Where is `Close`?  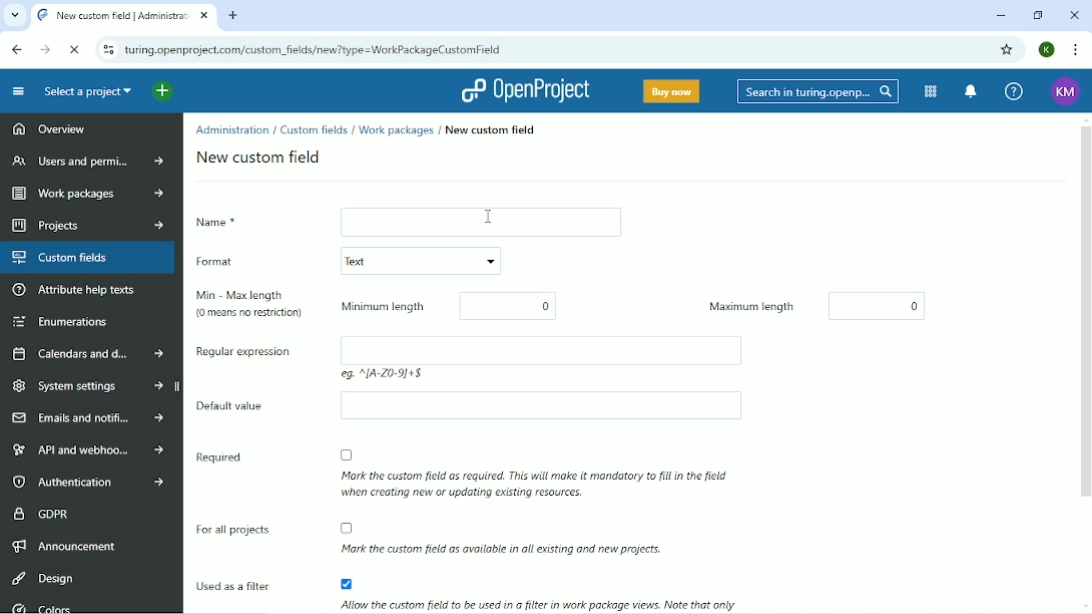
Close is located at coordinates (1075, 15).